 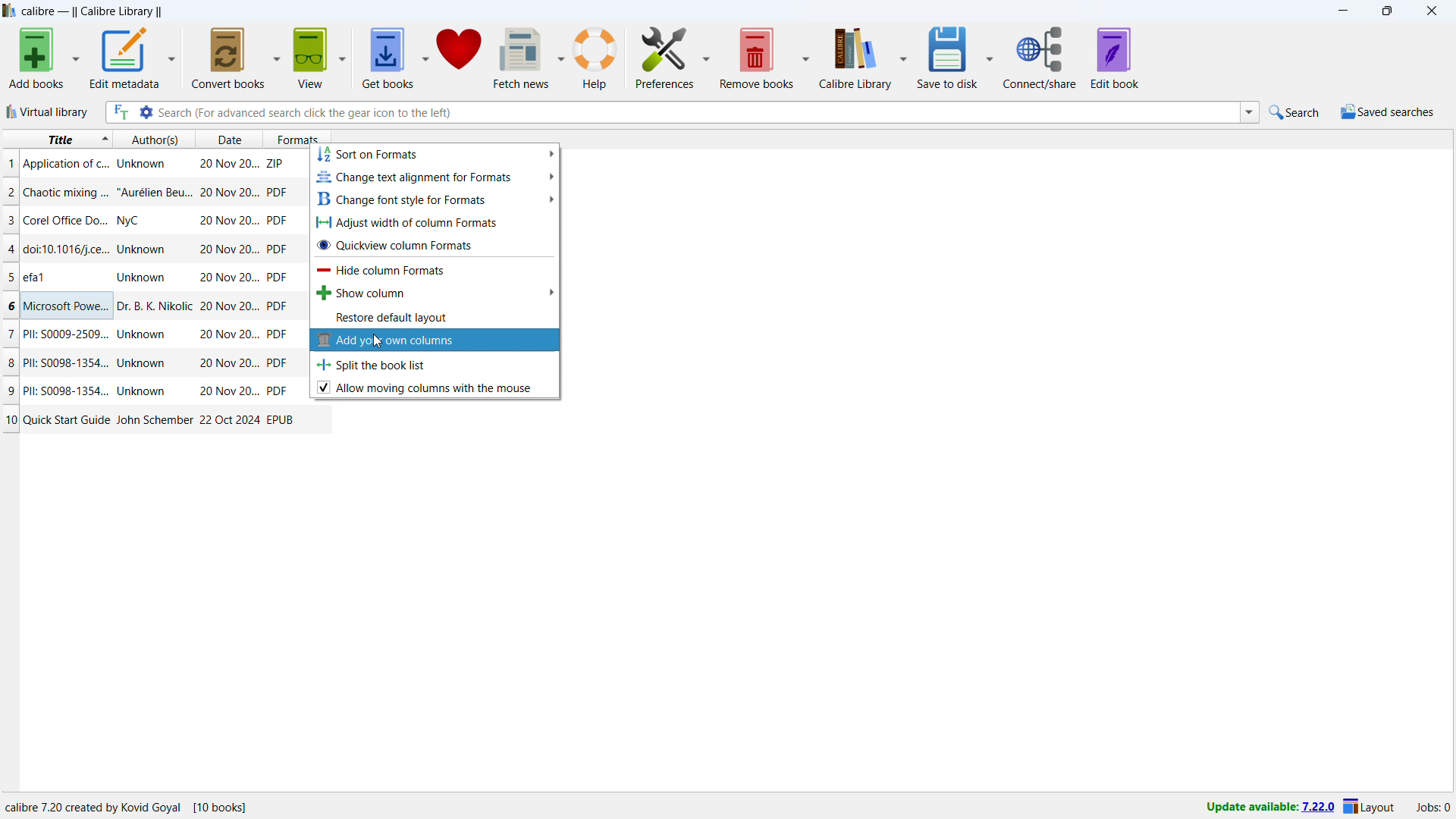 I want to click on preferences options, so click(x=707, y=58).